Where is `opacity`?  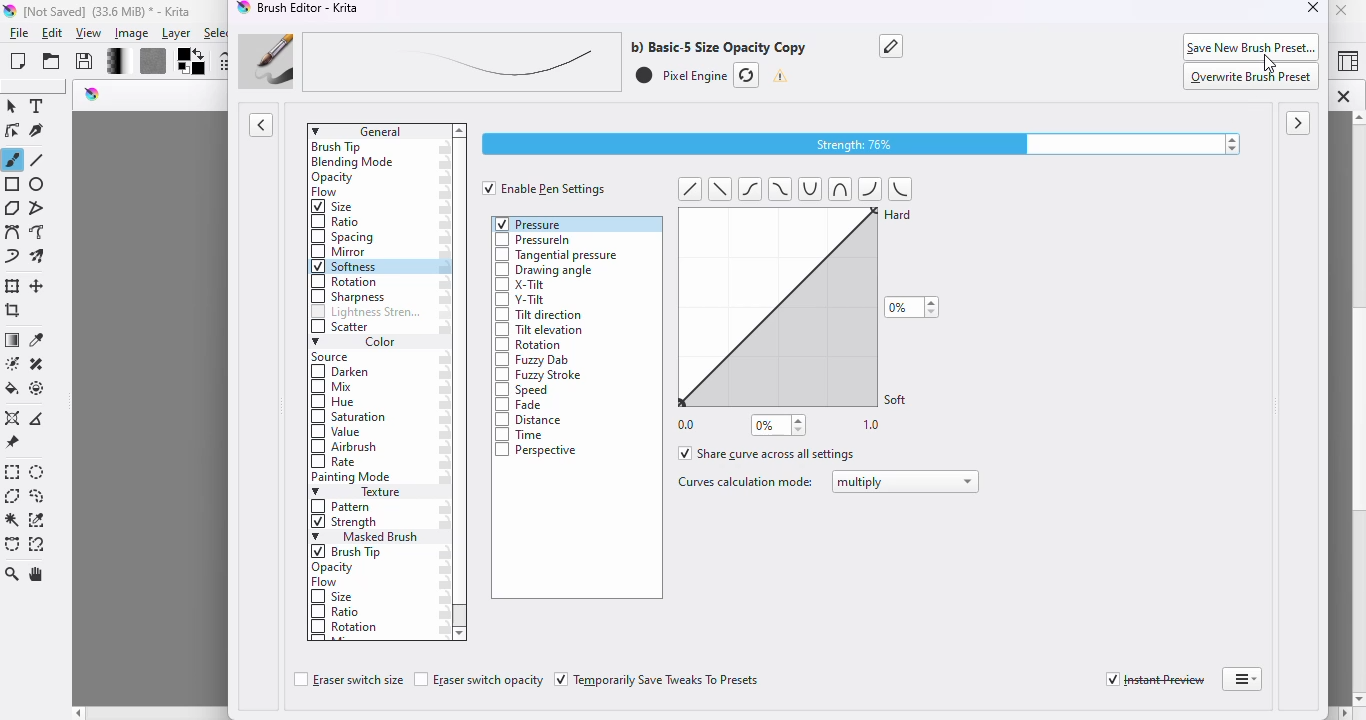 opacity is located at coordinates (332, 178).